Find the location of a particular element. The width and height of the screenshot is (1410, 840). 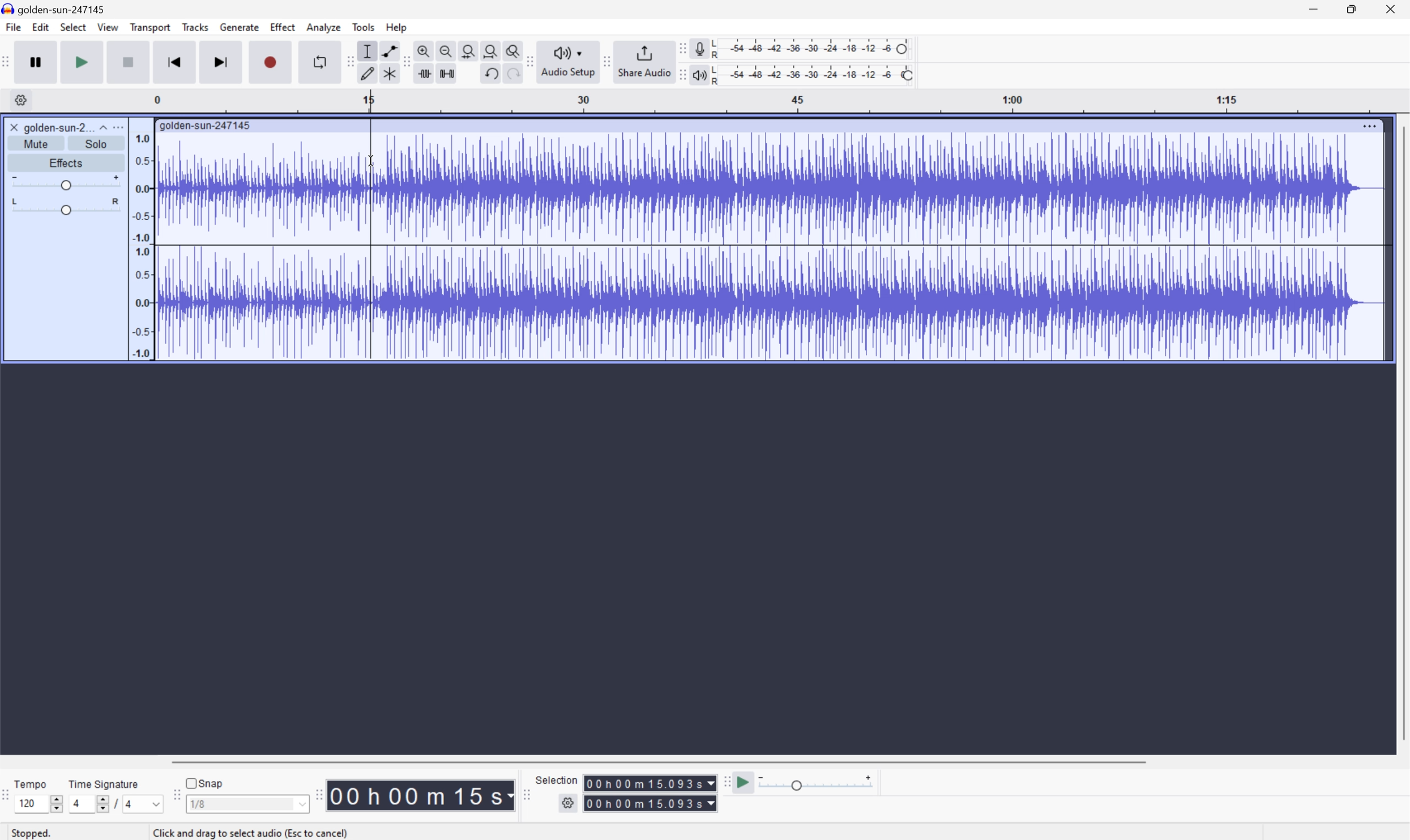

Stopped is located at coordinates (37, 834).